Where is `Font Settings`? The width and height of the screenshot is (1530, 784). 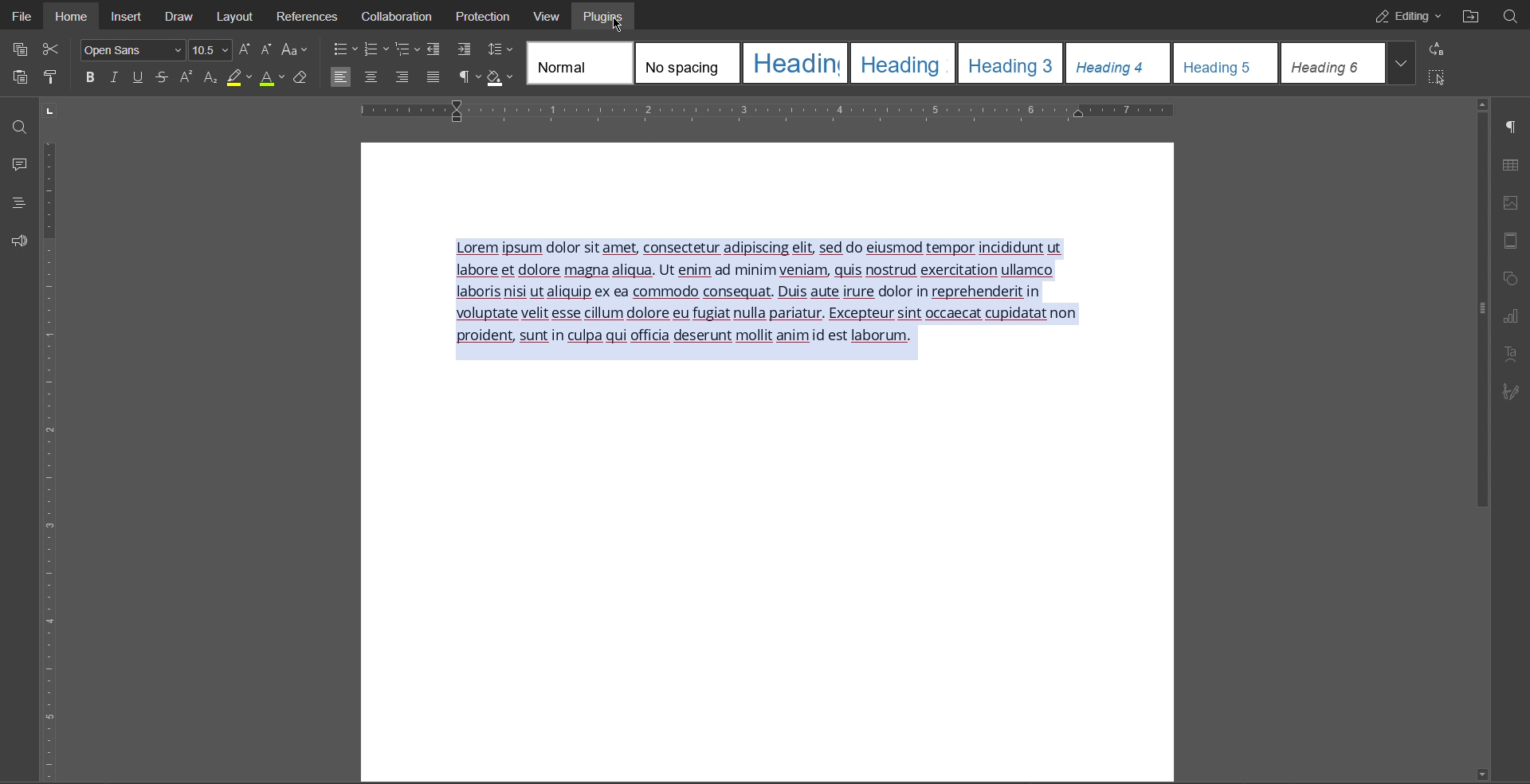 Font Settings is located at coordinates (131, 52).